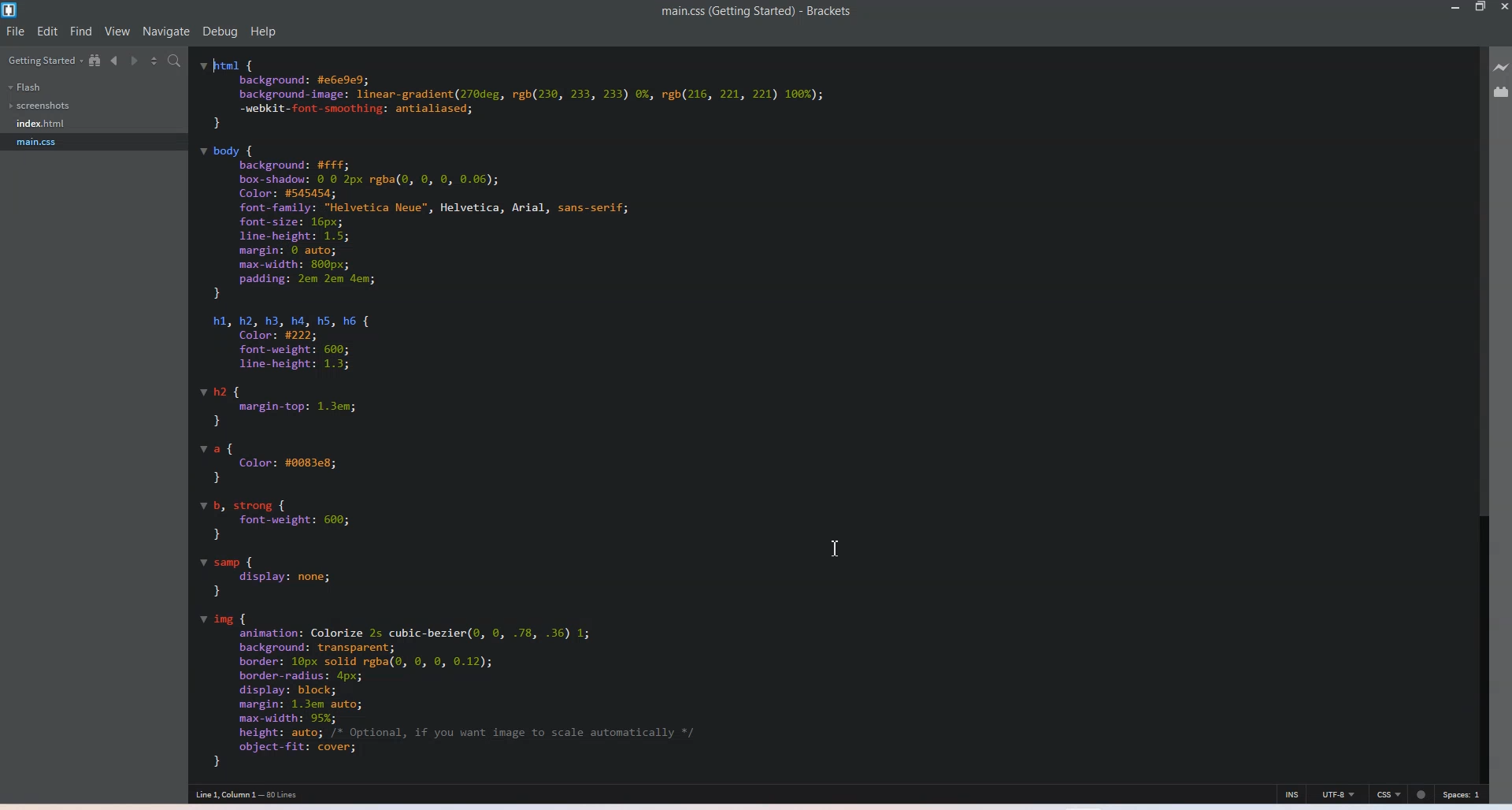 The height and width of the screenshot is (810, 1512). What do you see at coordinates (220, 32) in the screenshot?
I see `Debug` at bounding box center [220, 32].